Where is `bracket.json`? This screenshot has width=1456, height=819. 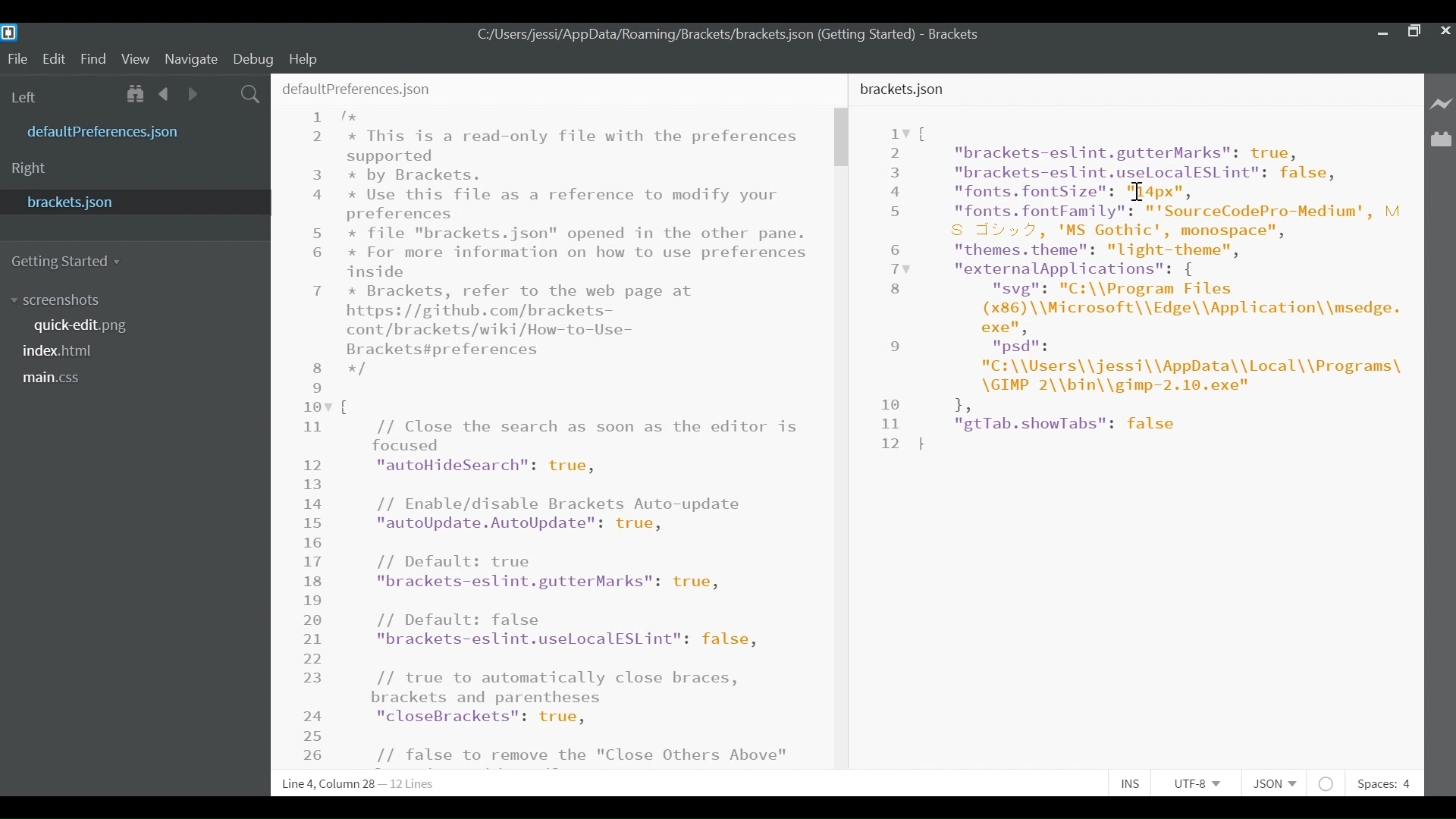
bracket.json is located at coordinates (905, 89).